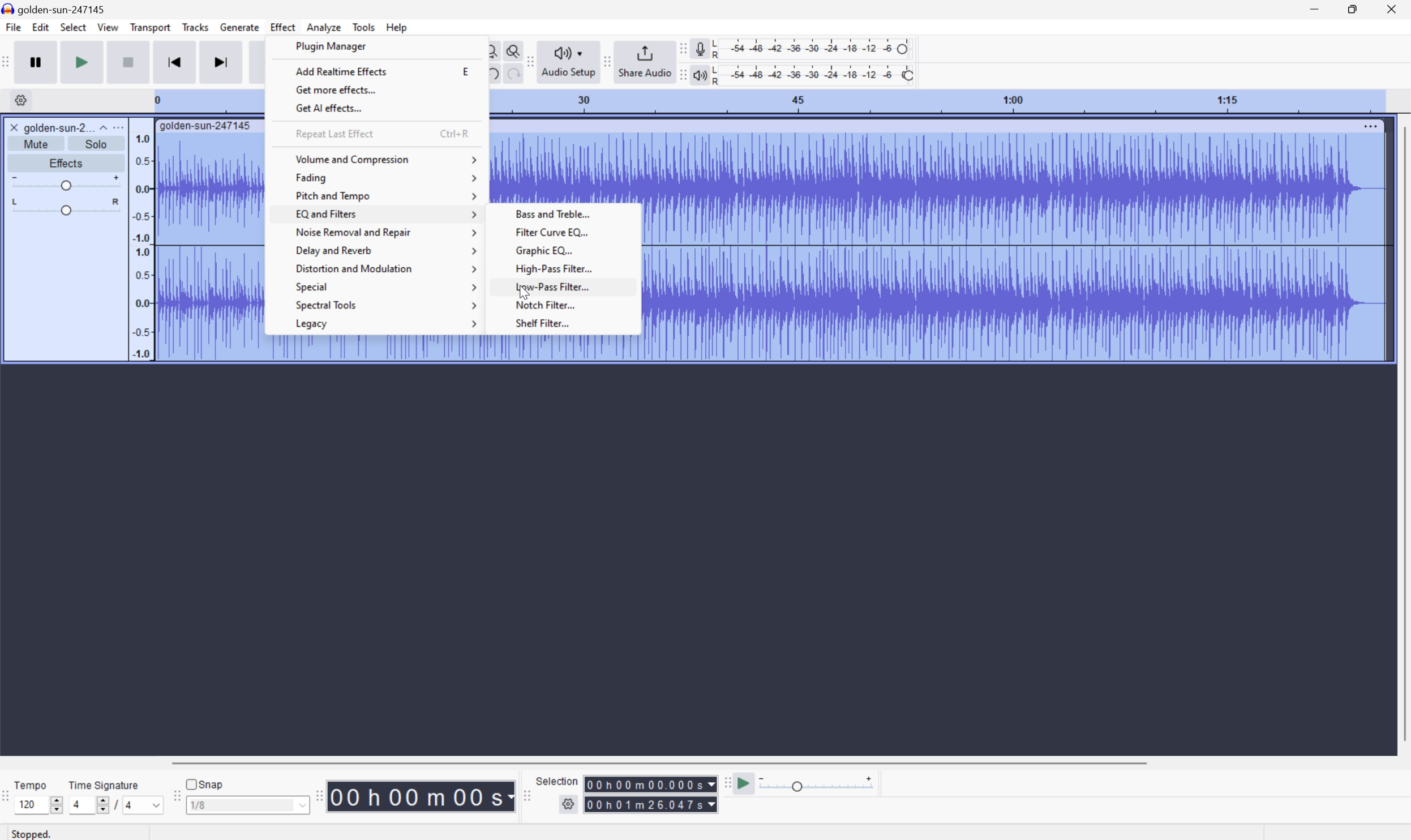 Image resolution: width=1411 pixels, height=840 pixels. Describe the element at coordinates (650, 804) in the screenshot. I see `Selection` at that location.